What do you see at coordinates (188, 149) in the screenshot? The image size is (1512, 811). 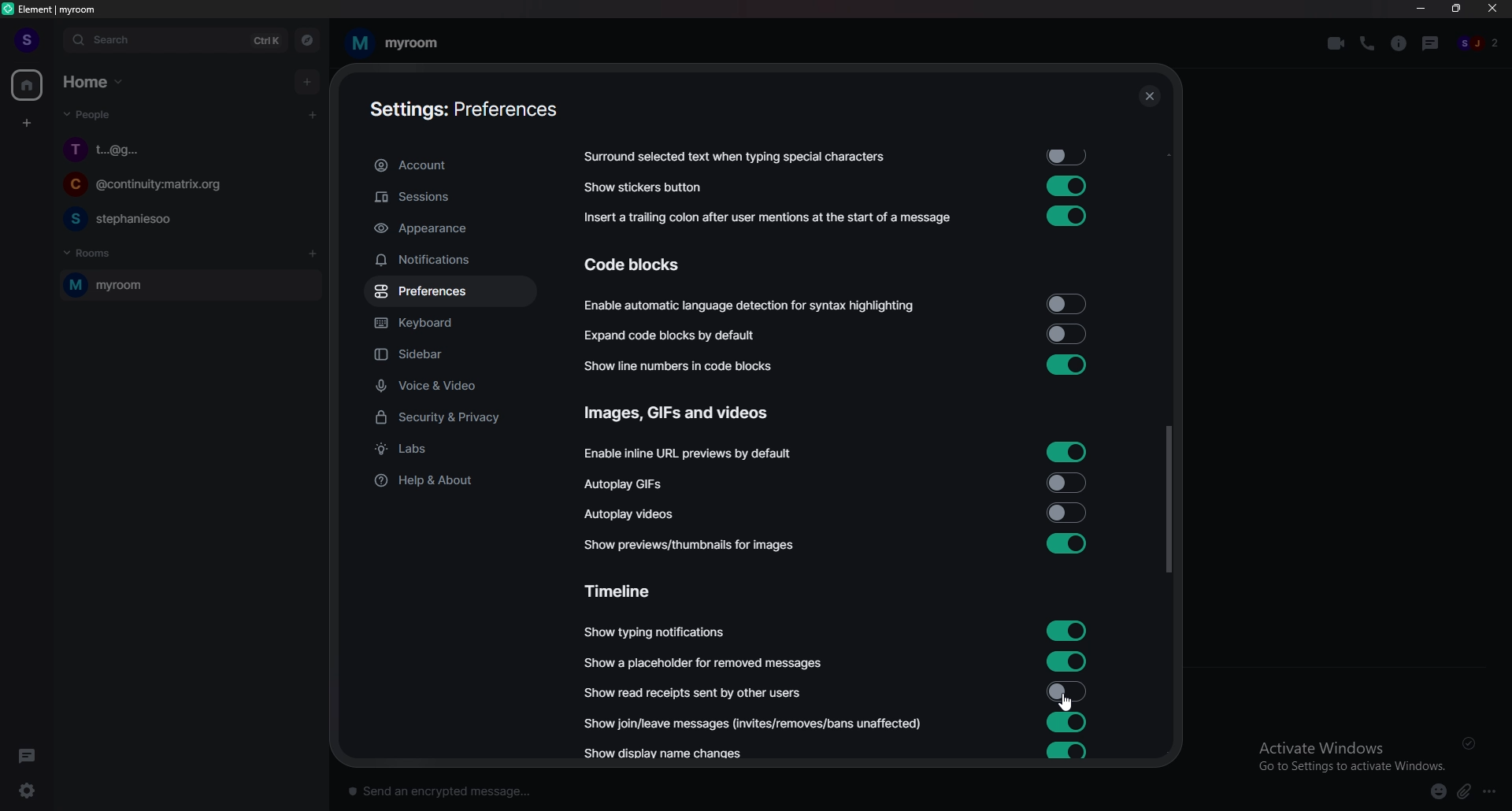 I see `chat` at bounding box center [188, 149].